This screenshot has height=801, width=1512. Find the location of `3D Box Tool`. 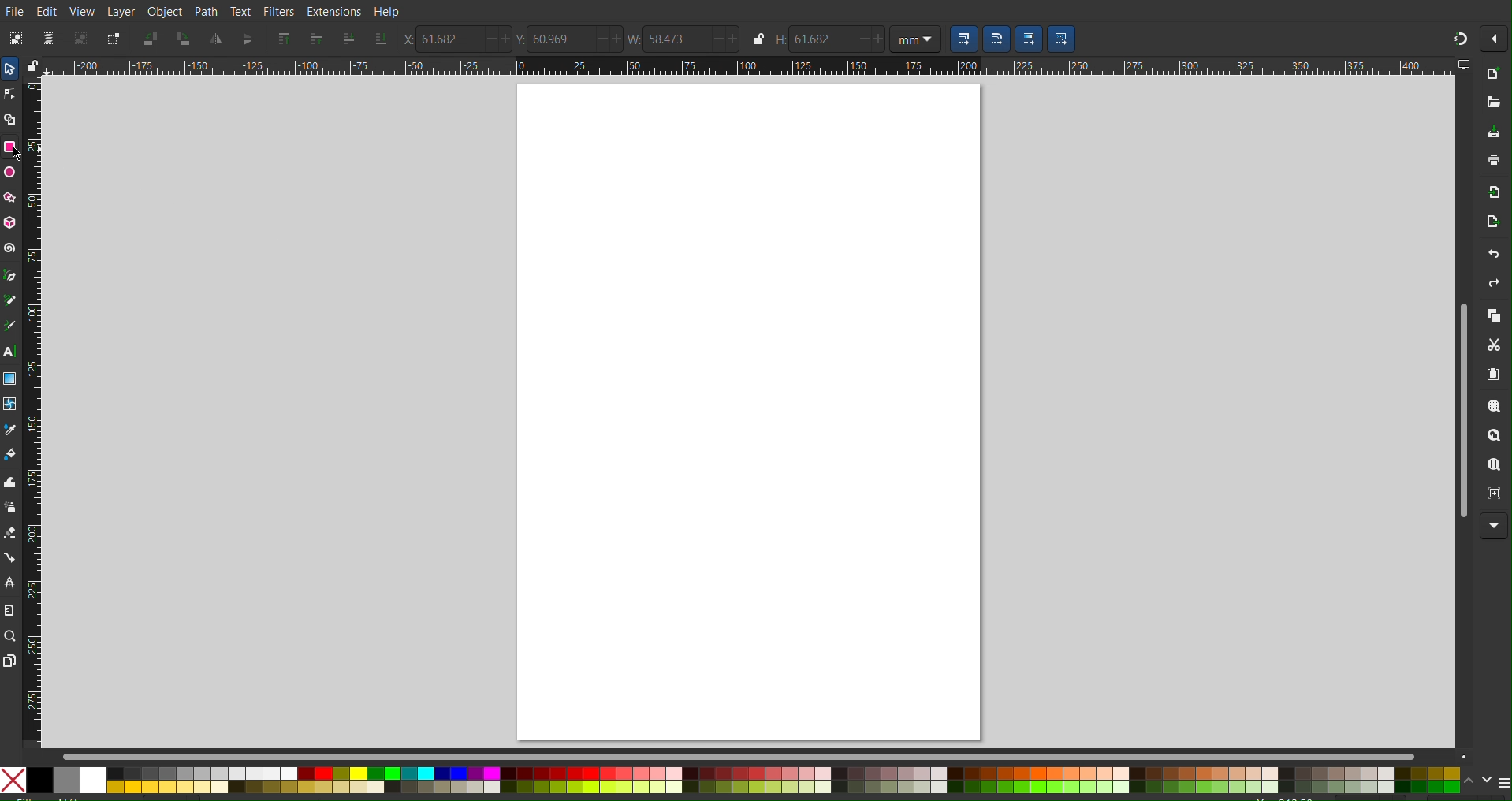

3D Box Tool is located at coordinates (9, 224).